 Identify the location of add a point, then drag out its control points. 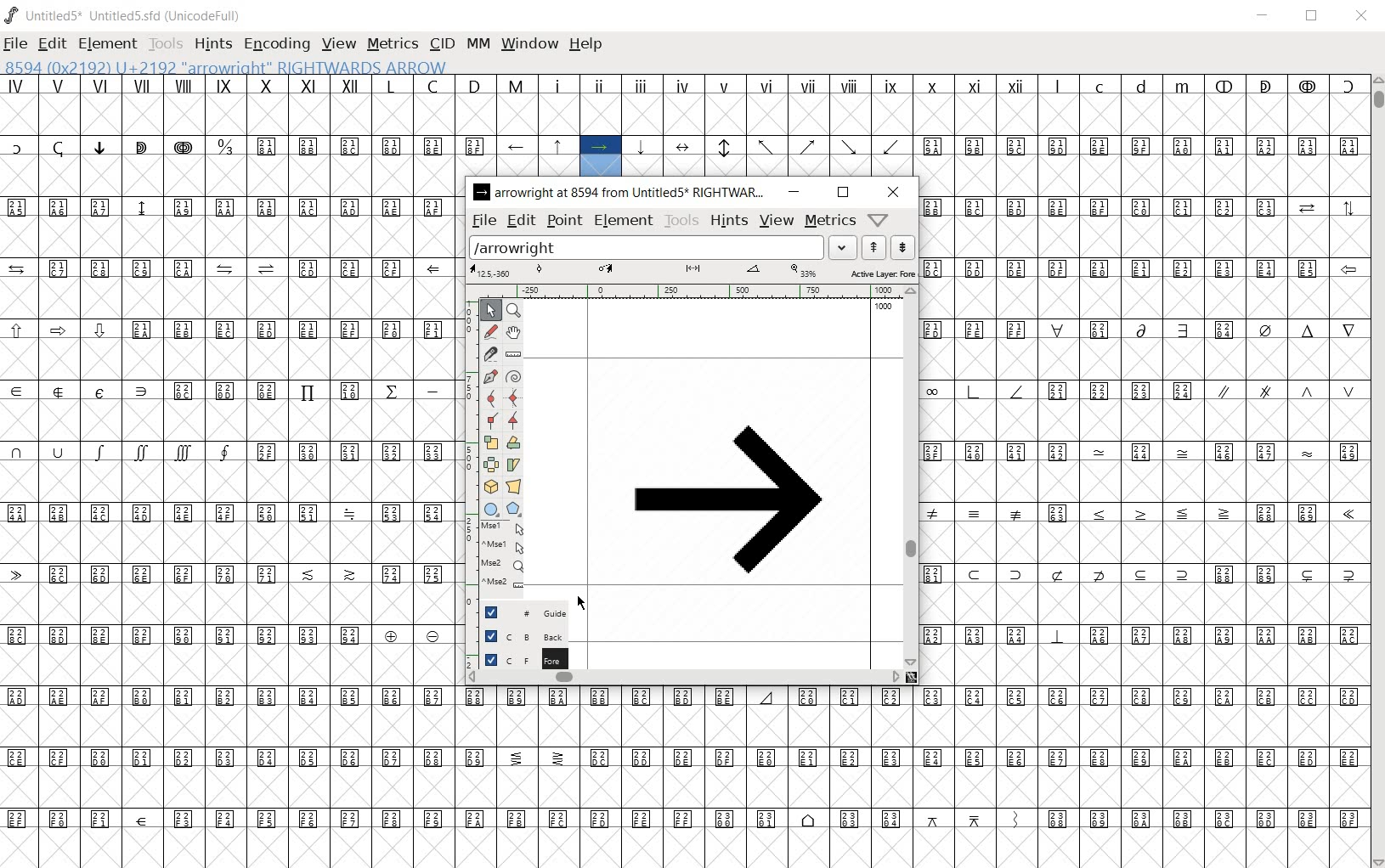
(489, 377).